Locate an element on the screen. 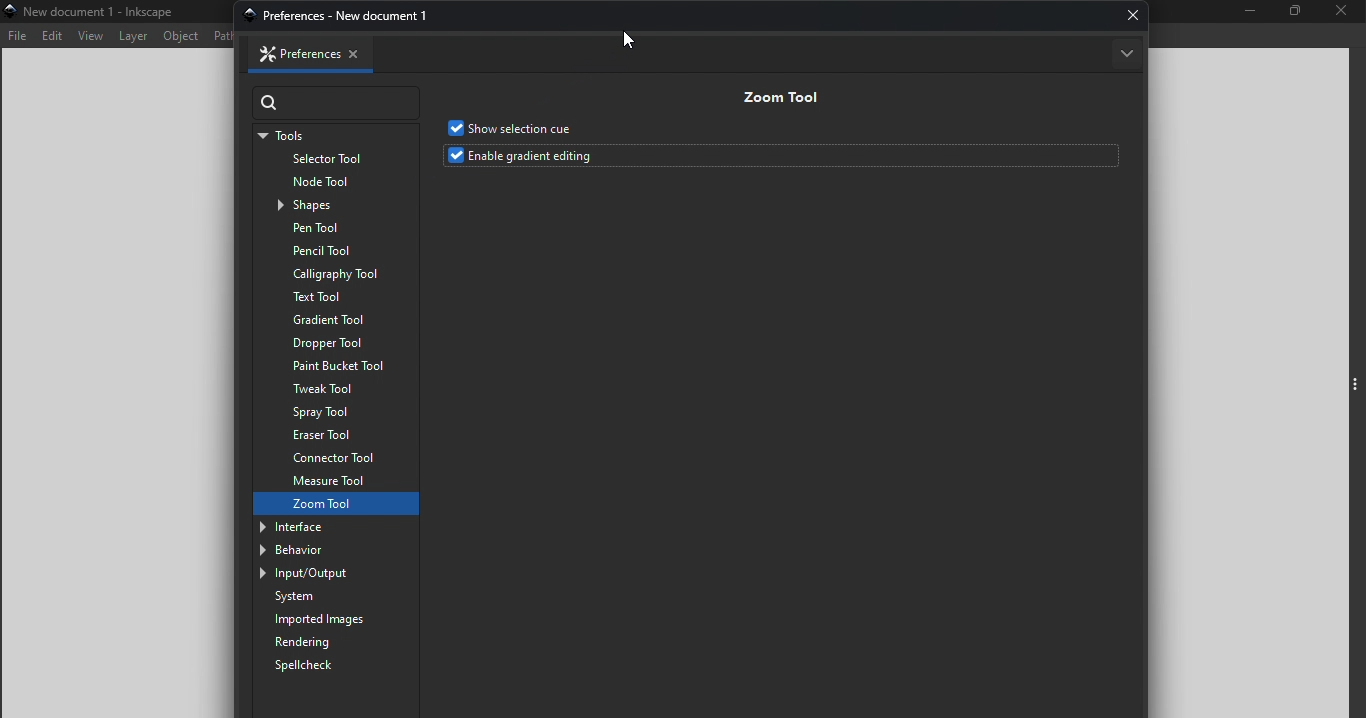 Image resolution: width=1366 pixels, height=718 pixels. Interface is located at coordinates (306, 526).